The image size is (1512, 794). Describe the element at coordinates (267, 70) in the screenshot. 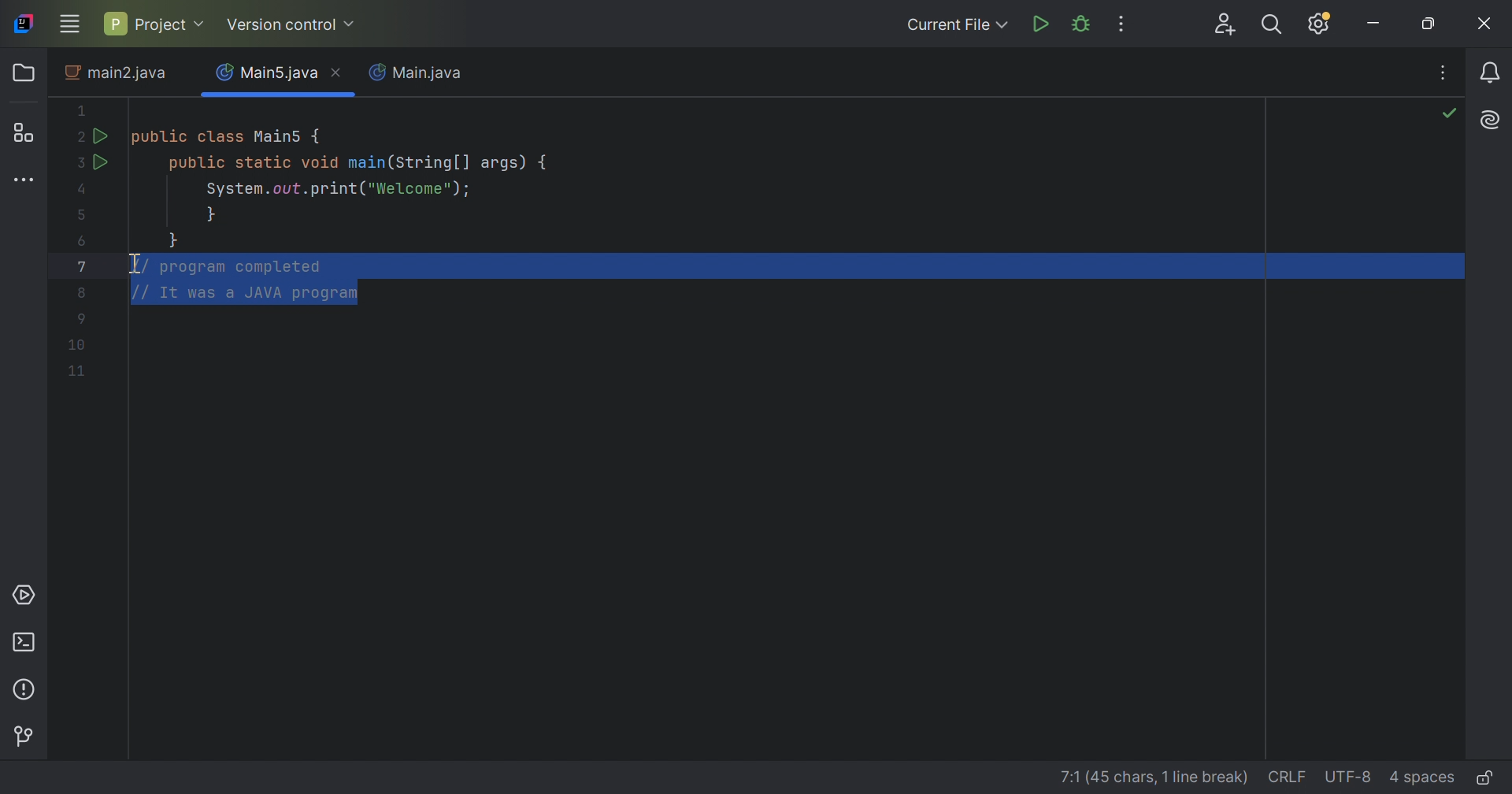

I see `Main5.java` at that location.